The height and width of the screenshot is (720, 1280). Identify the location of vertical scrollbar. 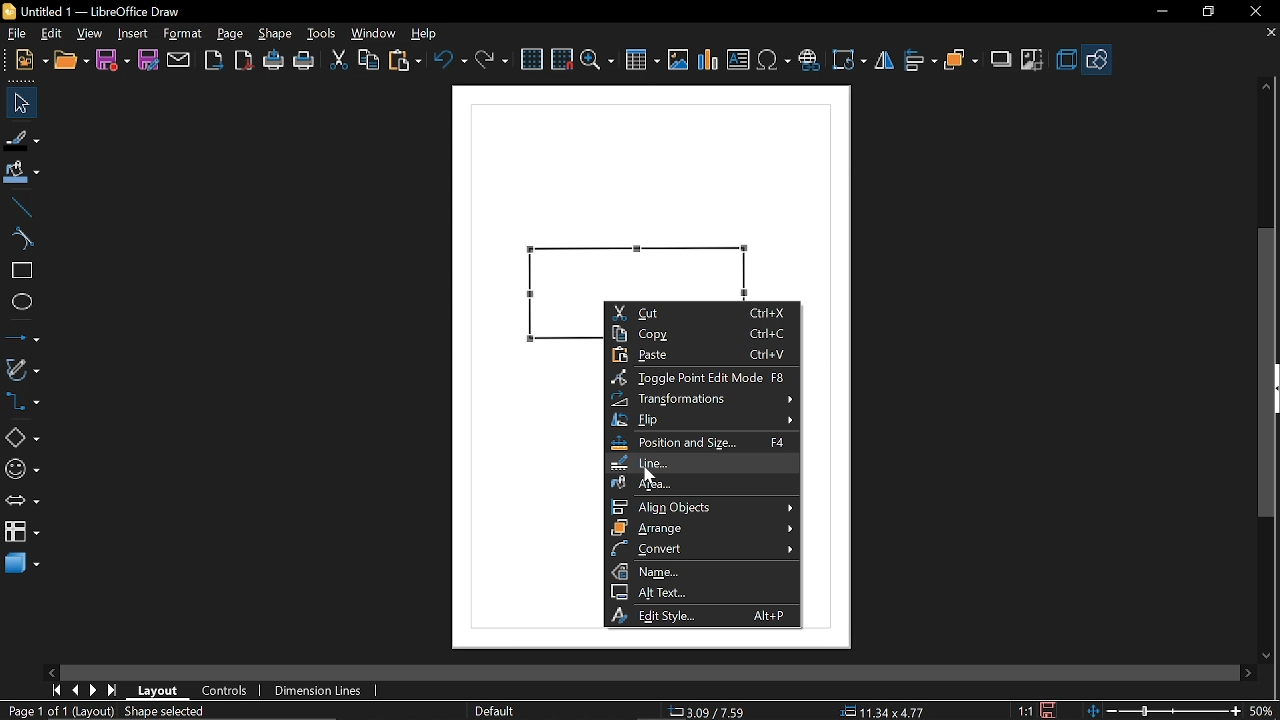
(1266, 372).